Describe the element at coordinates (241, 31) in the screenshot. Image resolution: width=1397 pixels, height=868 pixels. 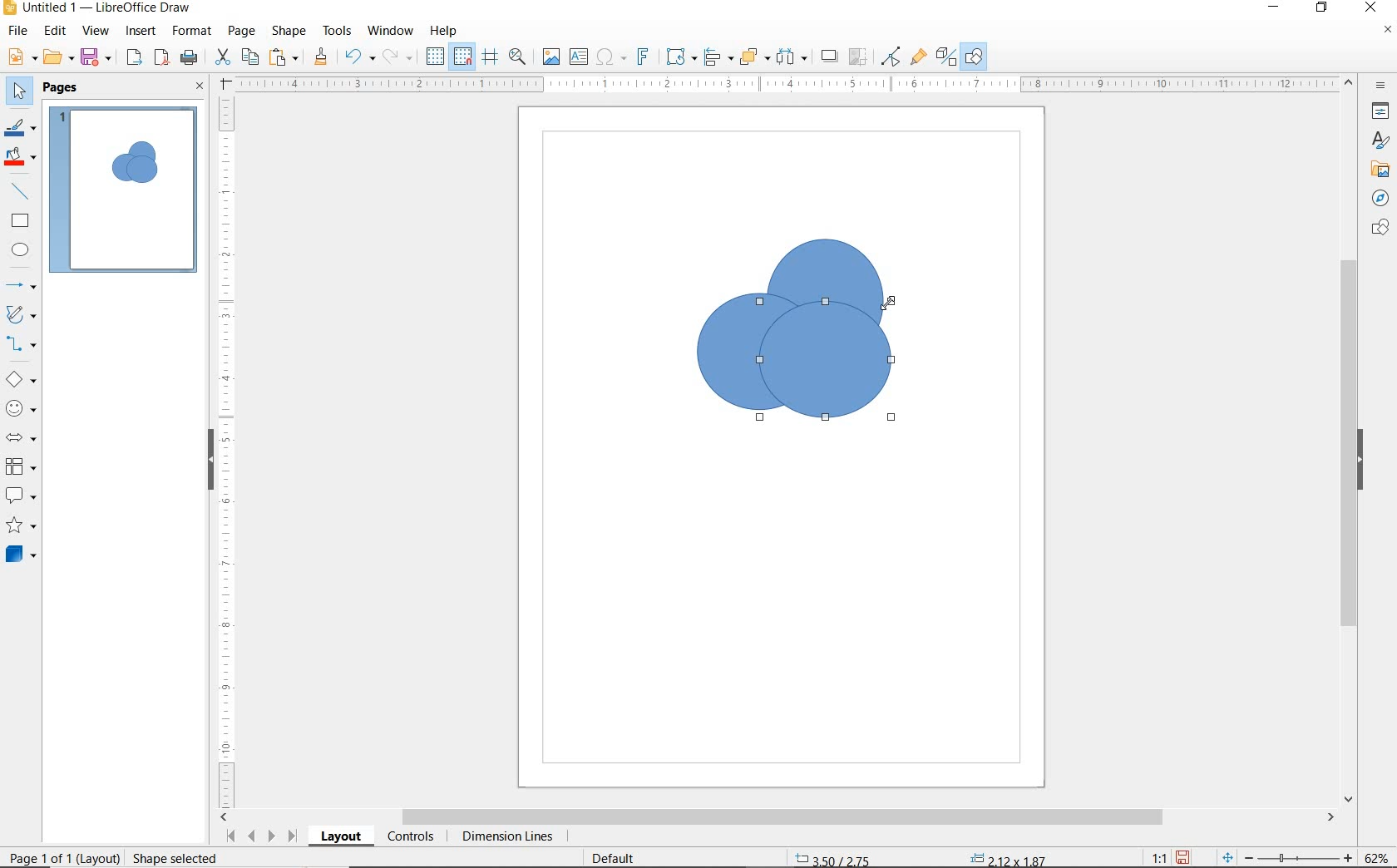
I see `PAGE` at that location.